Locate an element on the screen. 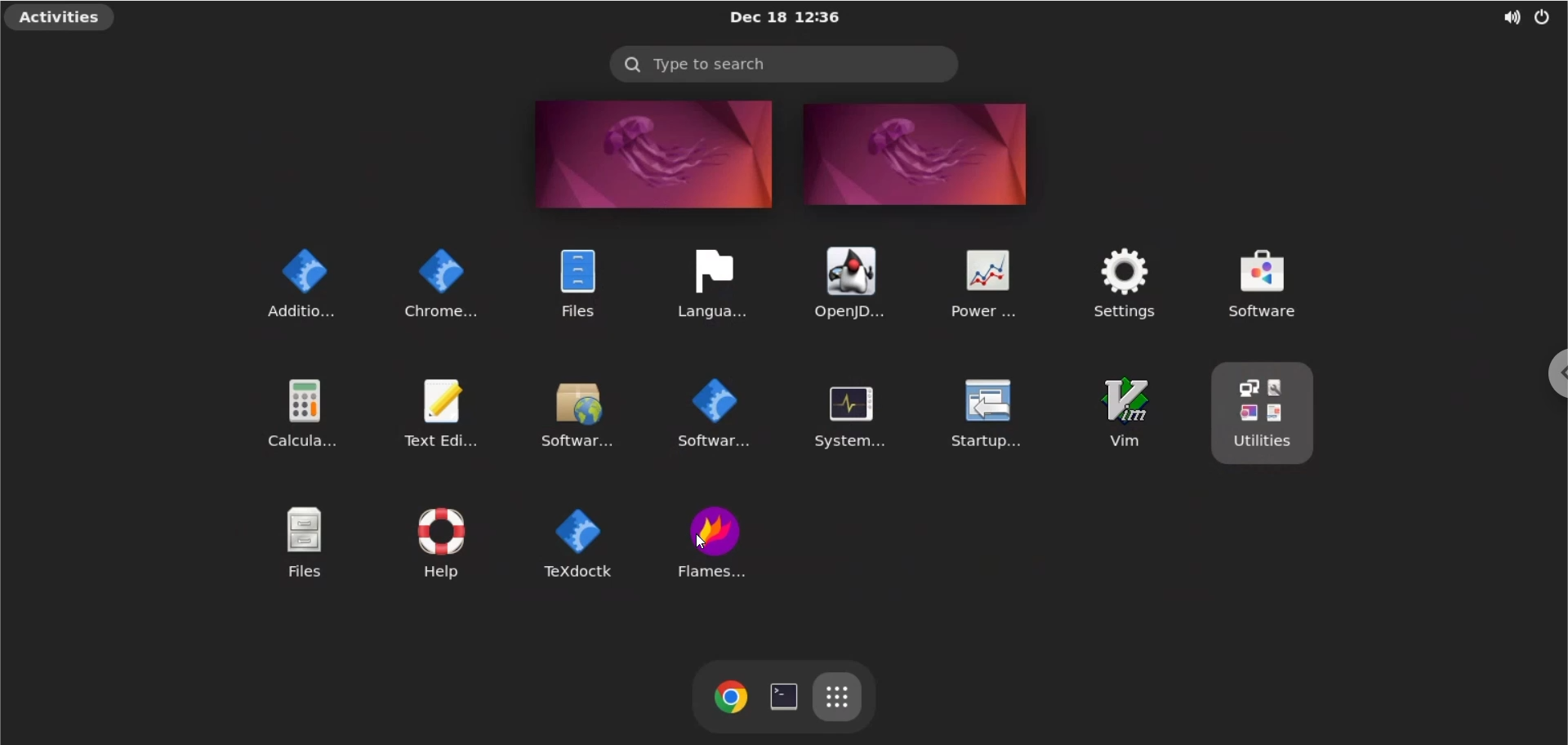 This screenshot has width=1568, height=745. help is located at coordinates (434, 537).